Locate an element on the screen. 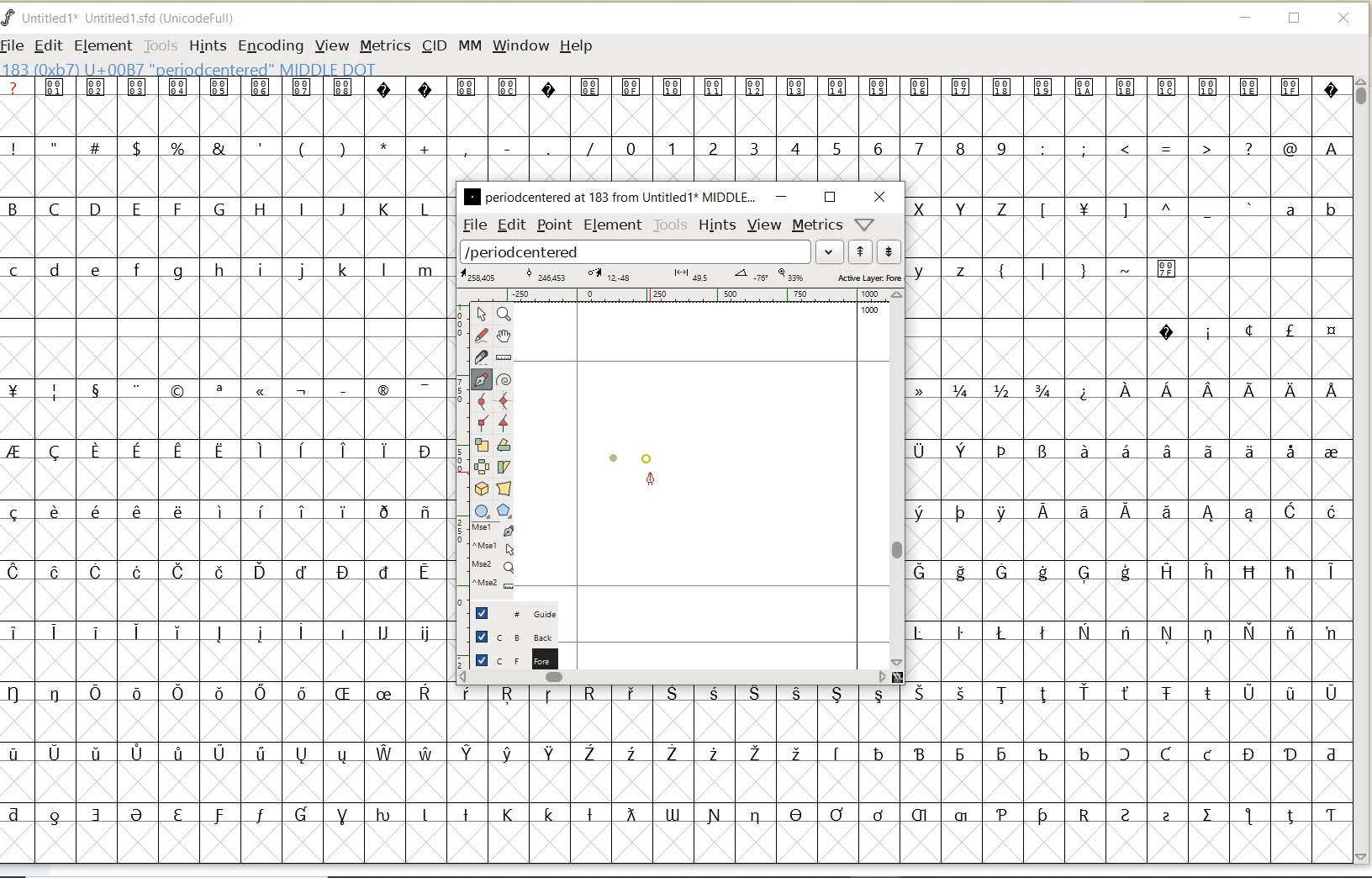 Image resolution: width=1372 pixels, height=878 pixels. RESTORE is located at coordinates (1295, 21).